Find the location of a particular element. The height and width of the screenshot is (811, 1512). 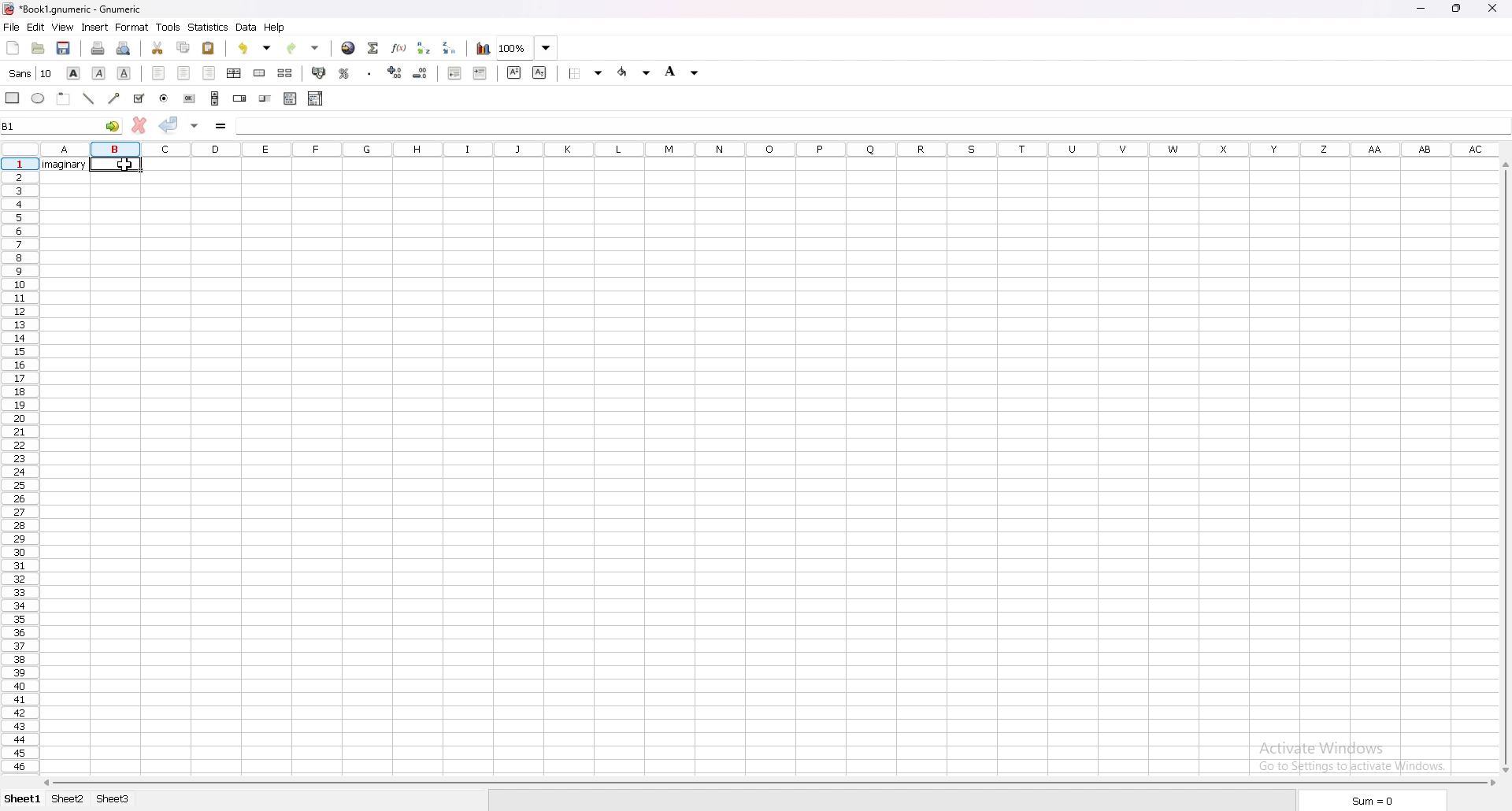

increase indent is located at coordinates (480, 73).